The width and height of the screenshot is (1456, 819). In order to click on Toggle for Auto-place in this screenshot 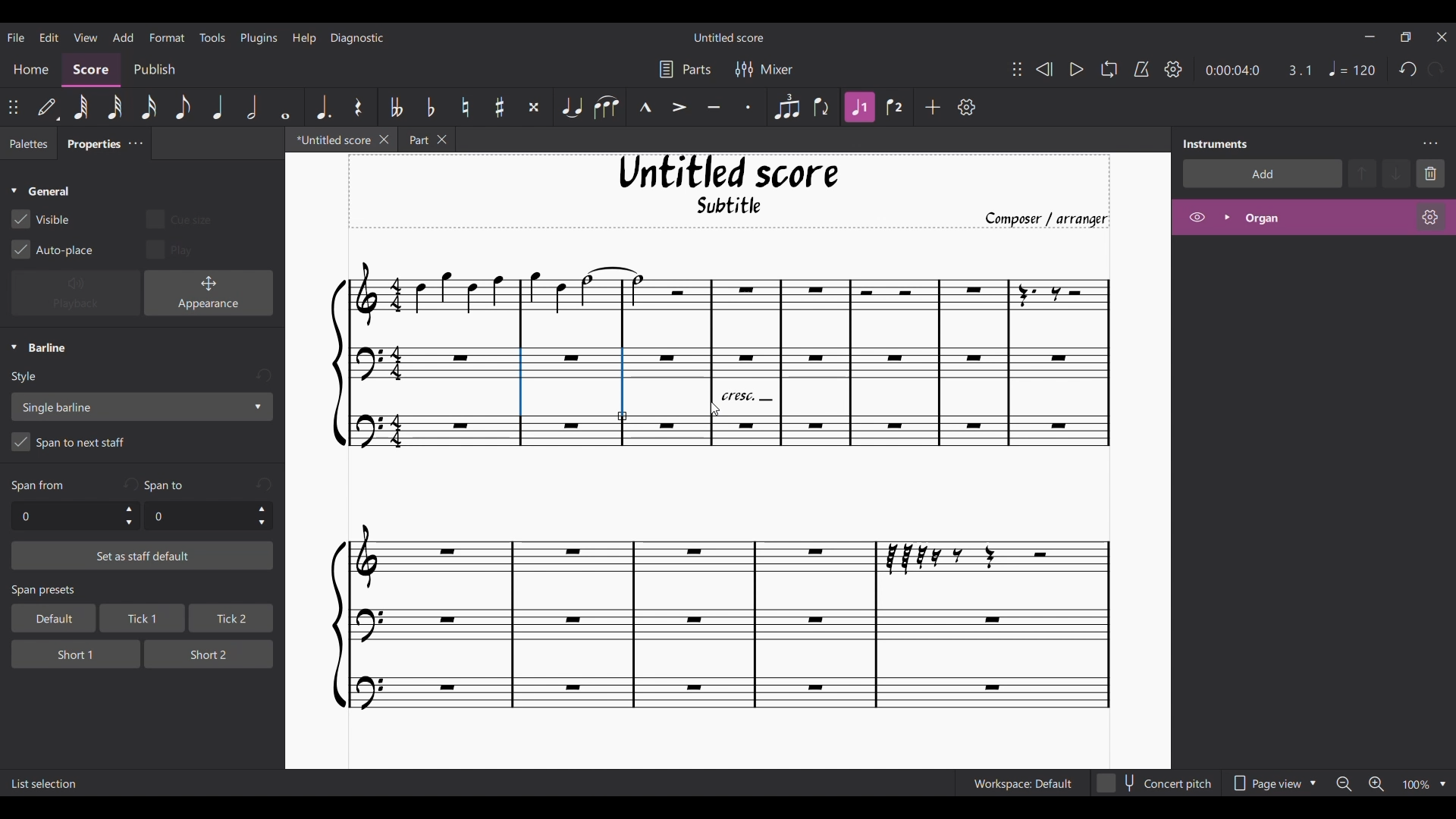, I will do `click(53, 249)`.